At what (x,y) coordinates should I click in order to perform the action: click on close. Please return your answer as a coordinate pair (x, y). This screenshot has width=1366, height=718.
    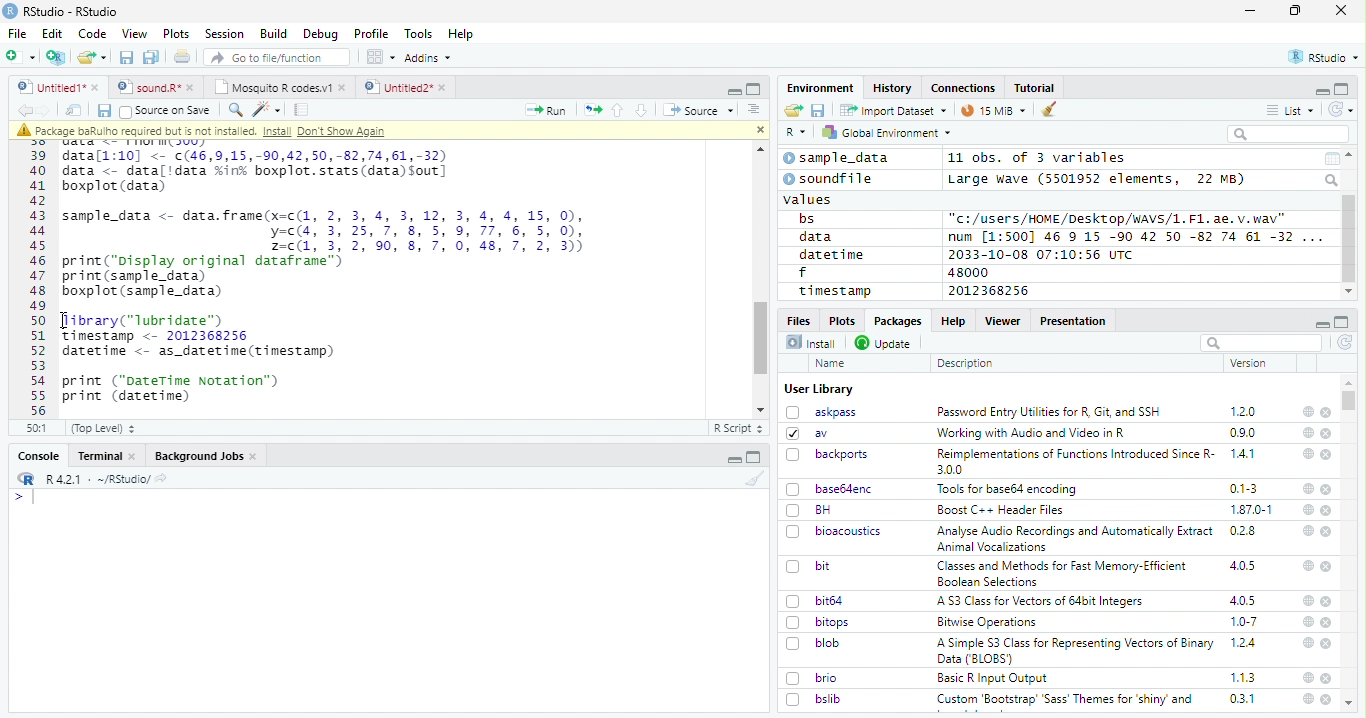
    Looking at the image, I should click on (1327, 566).